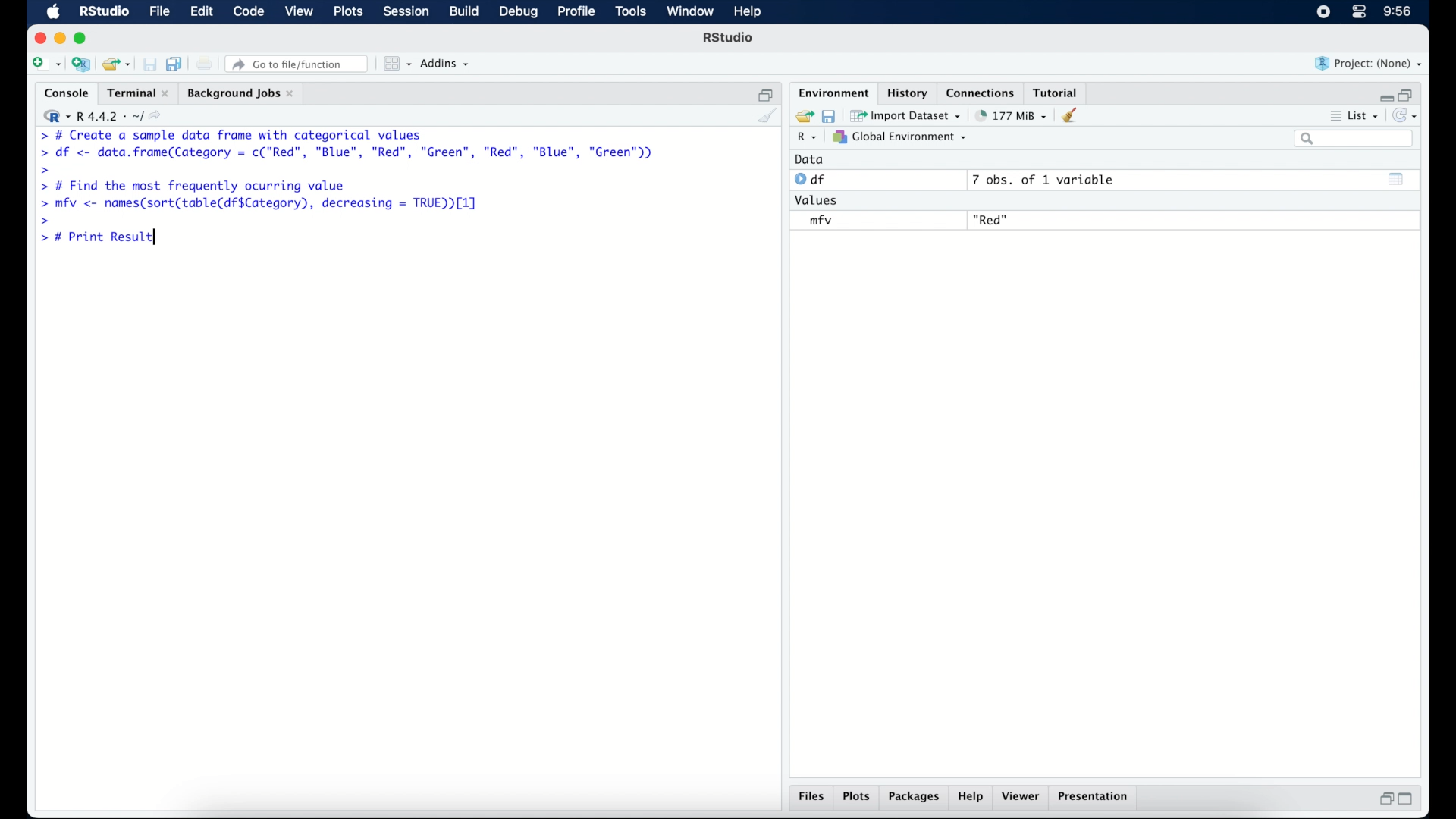 This screenshot has height=819, width=1456. Describe the element at coordinates (833, 92) in the screenshot. I see `environment` at that location.